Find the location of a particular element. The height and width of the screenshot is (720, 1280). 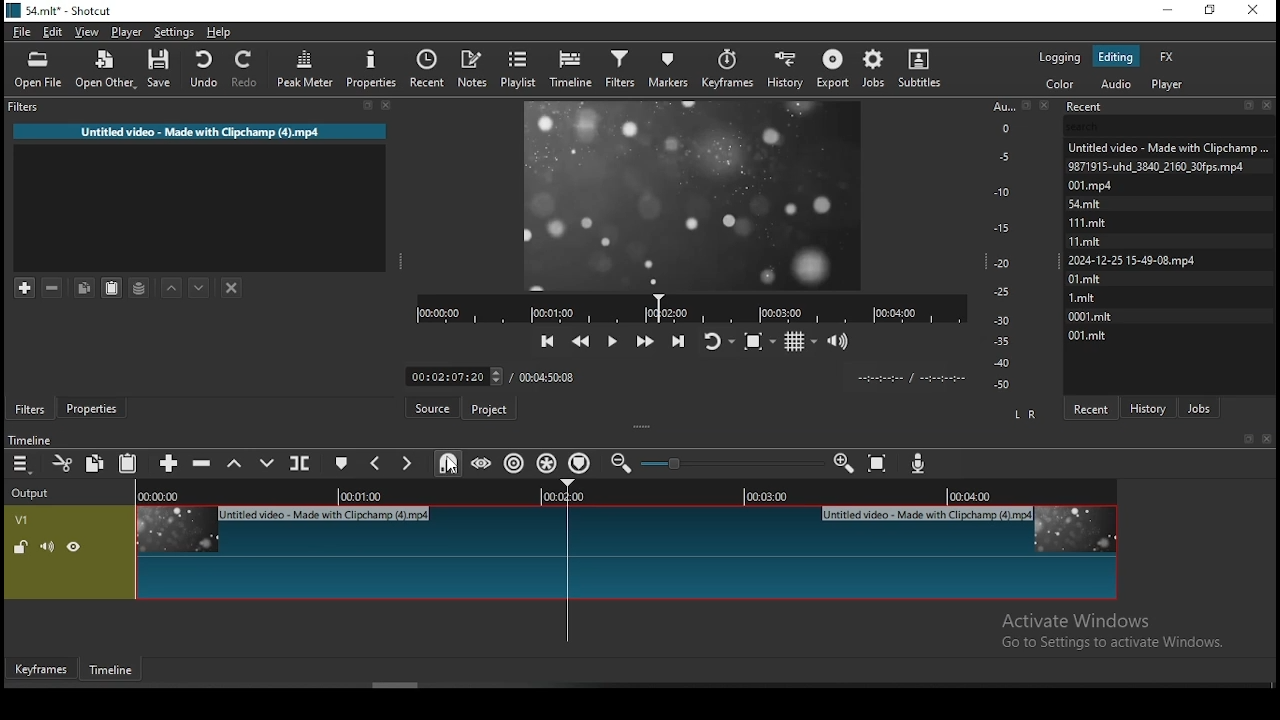

minimize is located at coordinates (1166, 11).